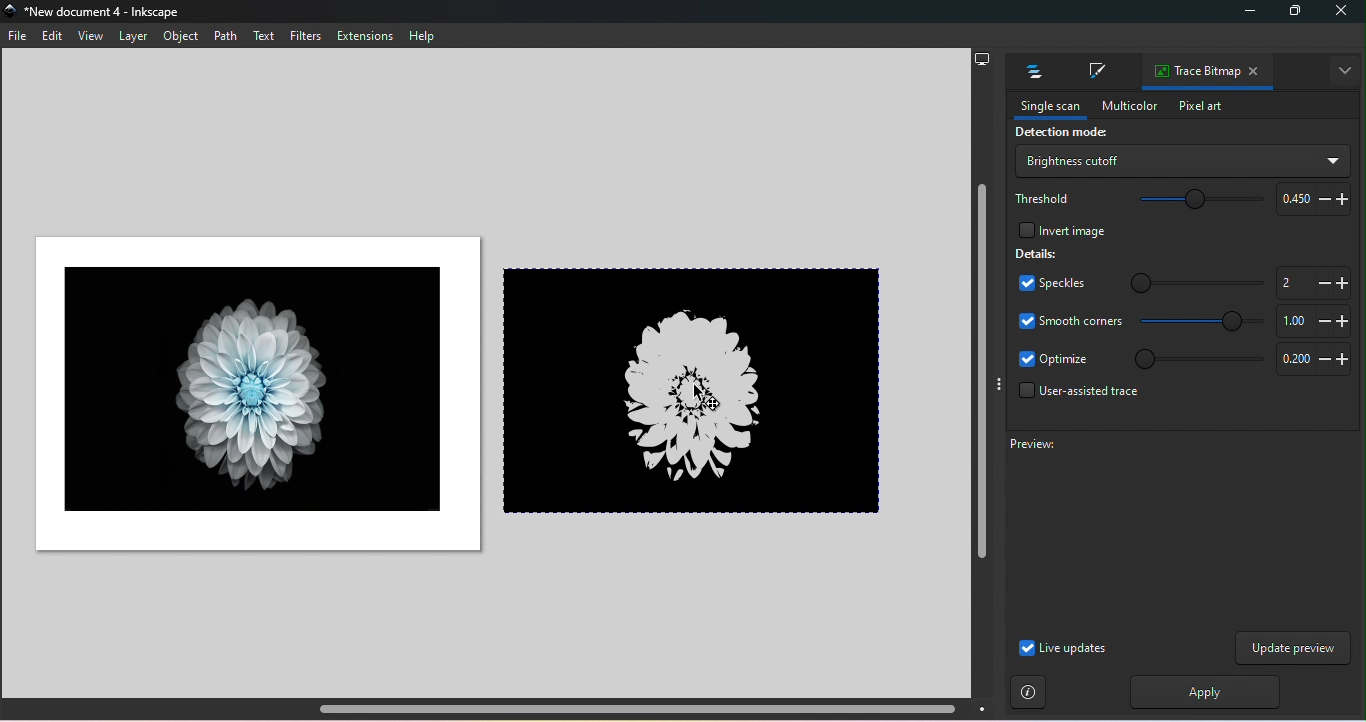 The width and height of the screenshot is (1366, 722). What do you see at coordinates (1037, 253) in the screenshot?
I see `Details` at bounding box center [1037, 253].